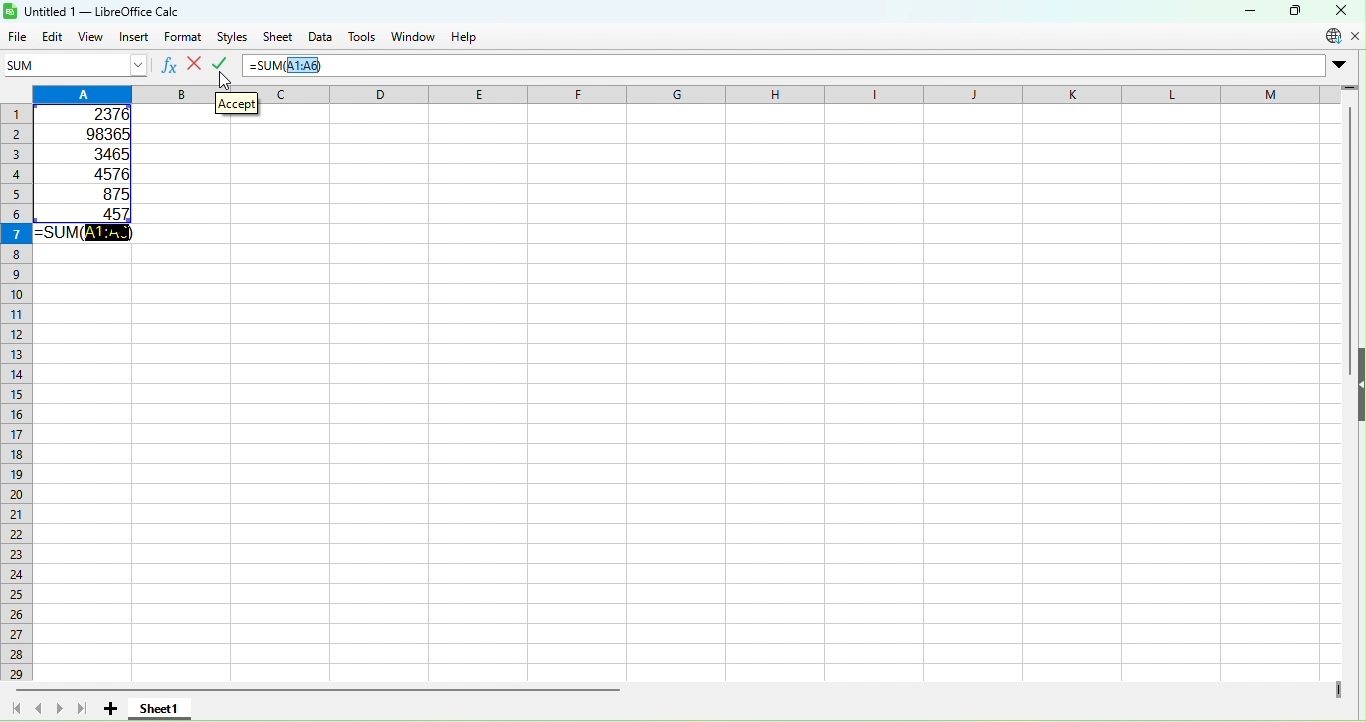 Image resolution: width=1366 pixels, height=722 pixels. I want to click on Untitled 1 — LibreOffice Calc, so click(96, 11).